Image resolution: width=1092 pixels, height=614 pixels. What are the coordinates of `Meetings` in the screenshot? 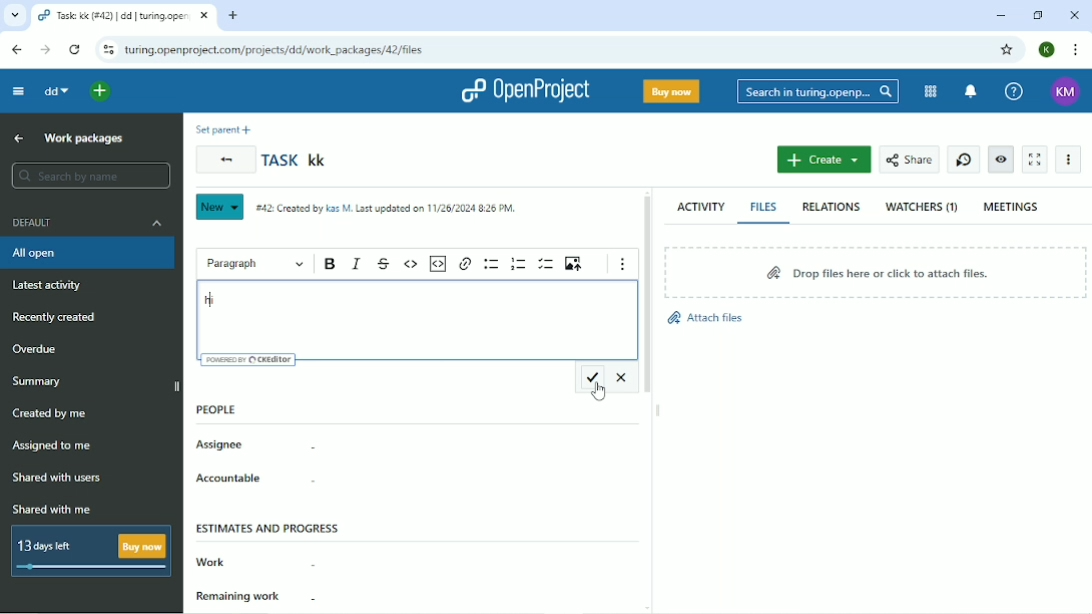 It's located at (1013, 206).